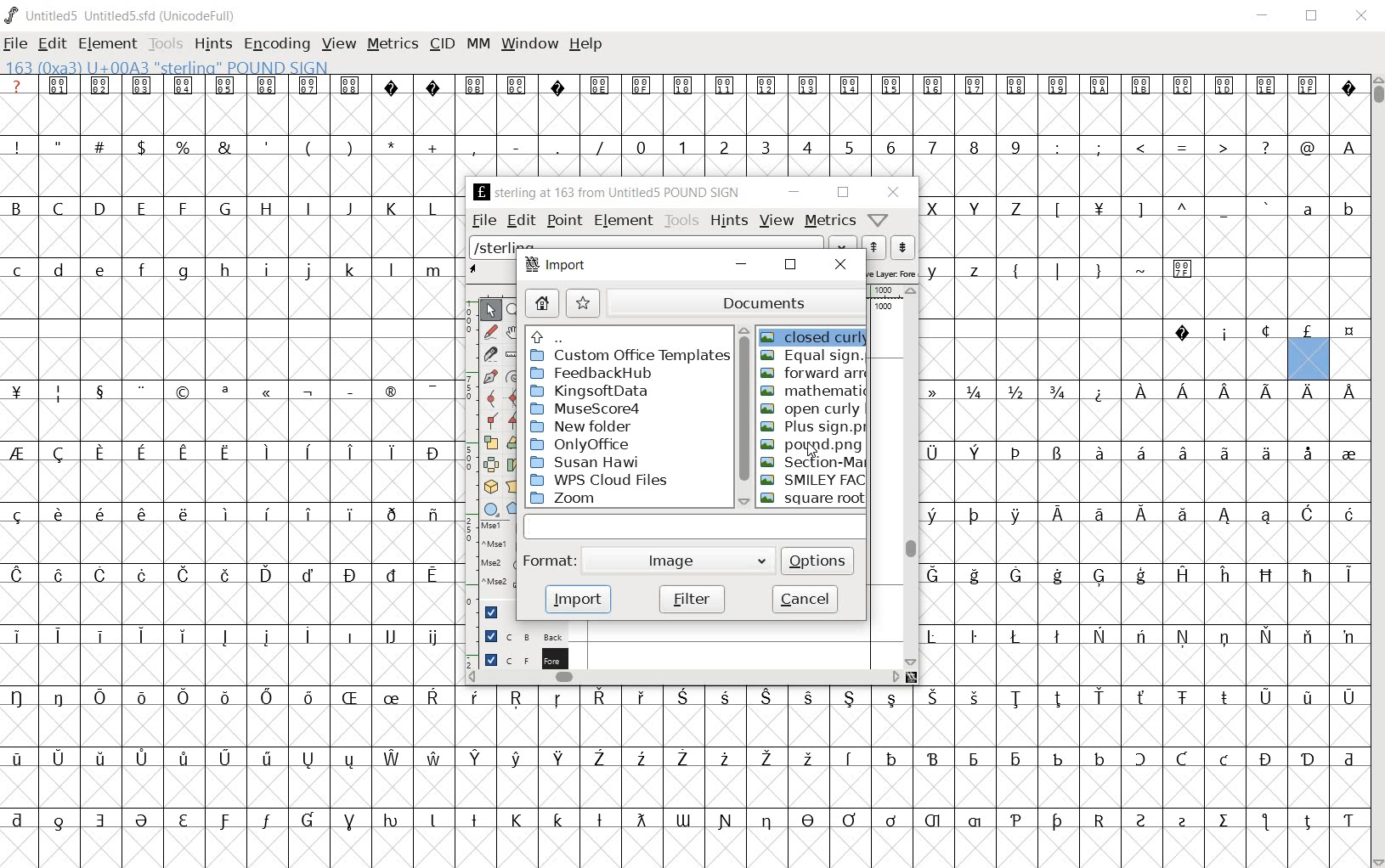 The image size is (1385, 868). Describe the element at coordinates (940, 391) in the screenshot. I see `Symbol` at that location.